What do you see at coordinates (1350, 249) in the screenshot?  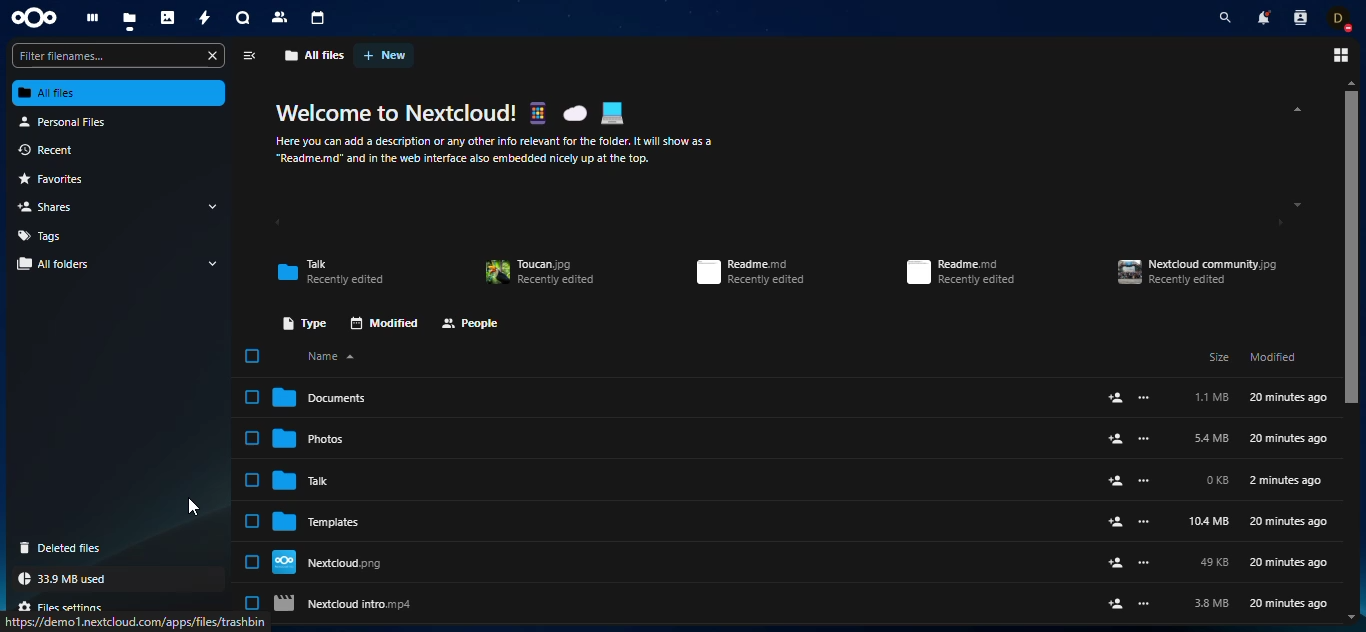 I see `Scroll bar` at bounding box center [1350, 249].